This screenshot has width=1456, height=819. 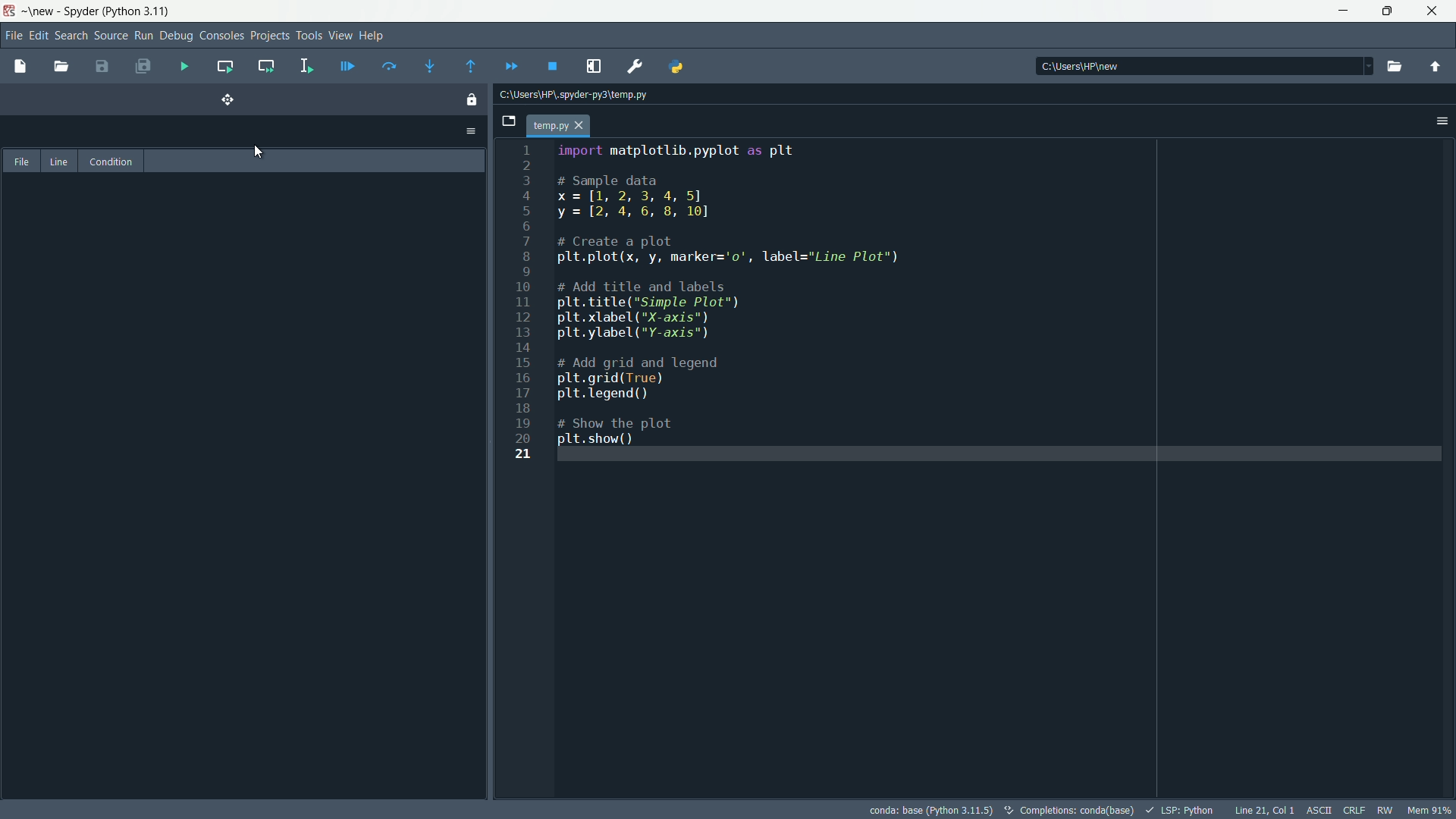 I want to click on temp.py, so click(x=558, y=124).